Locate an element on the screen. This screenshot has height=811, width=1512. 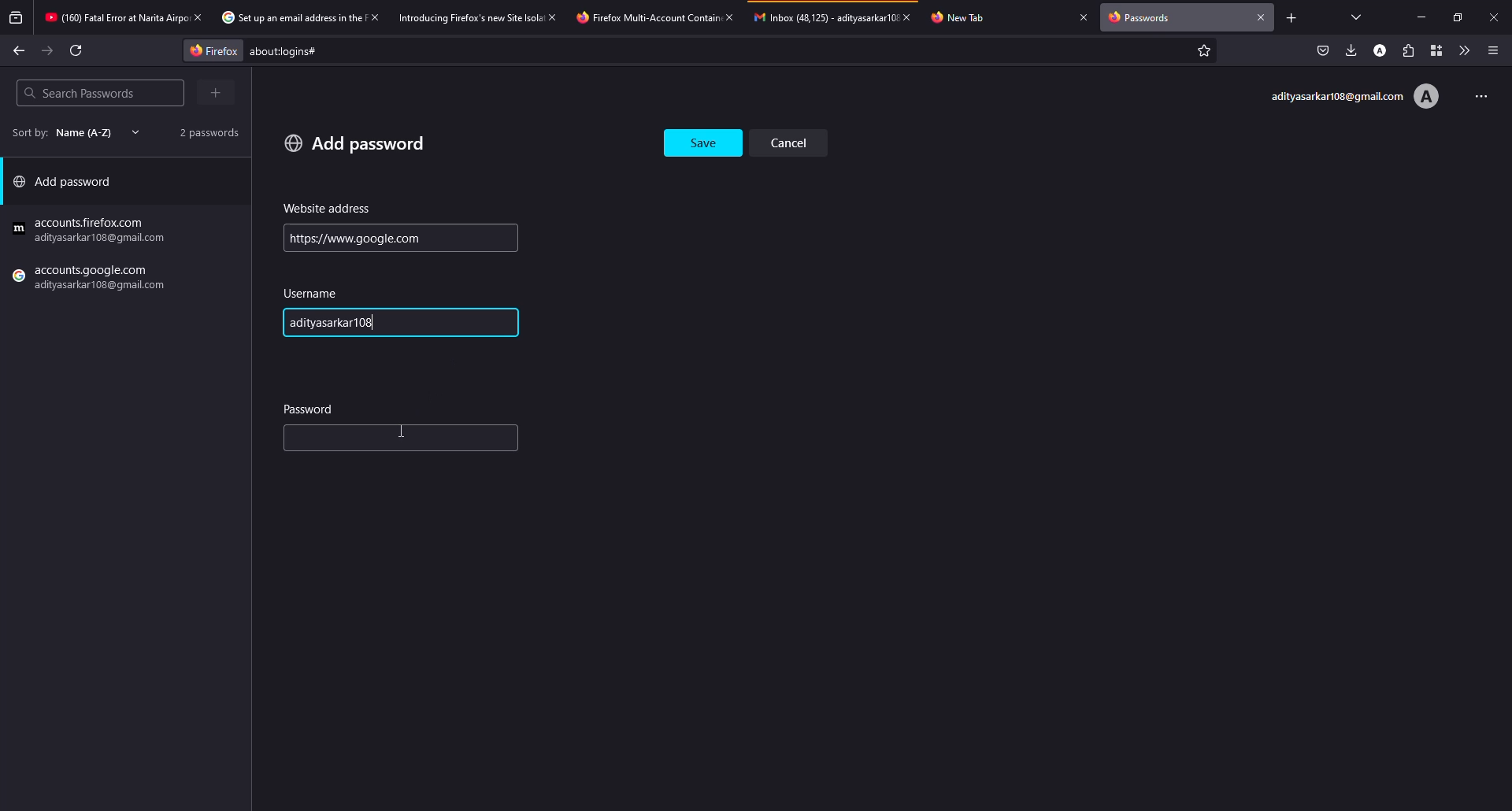
sort by name is located at coordinates (71, 132).